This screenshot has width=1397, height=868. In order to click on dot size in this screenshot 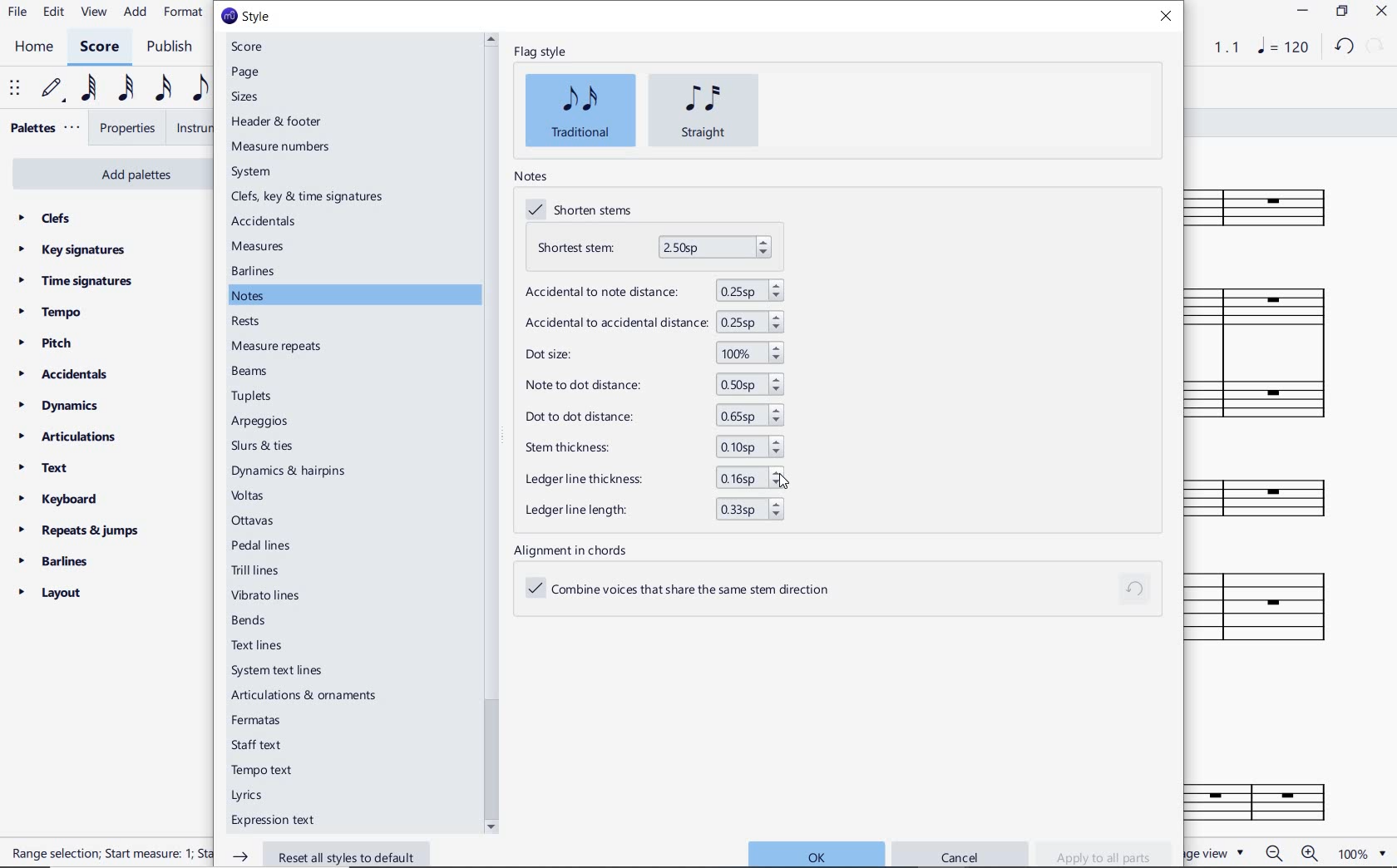, I will do `click(653, 354)`.